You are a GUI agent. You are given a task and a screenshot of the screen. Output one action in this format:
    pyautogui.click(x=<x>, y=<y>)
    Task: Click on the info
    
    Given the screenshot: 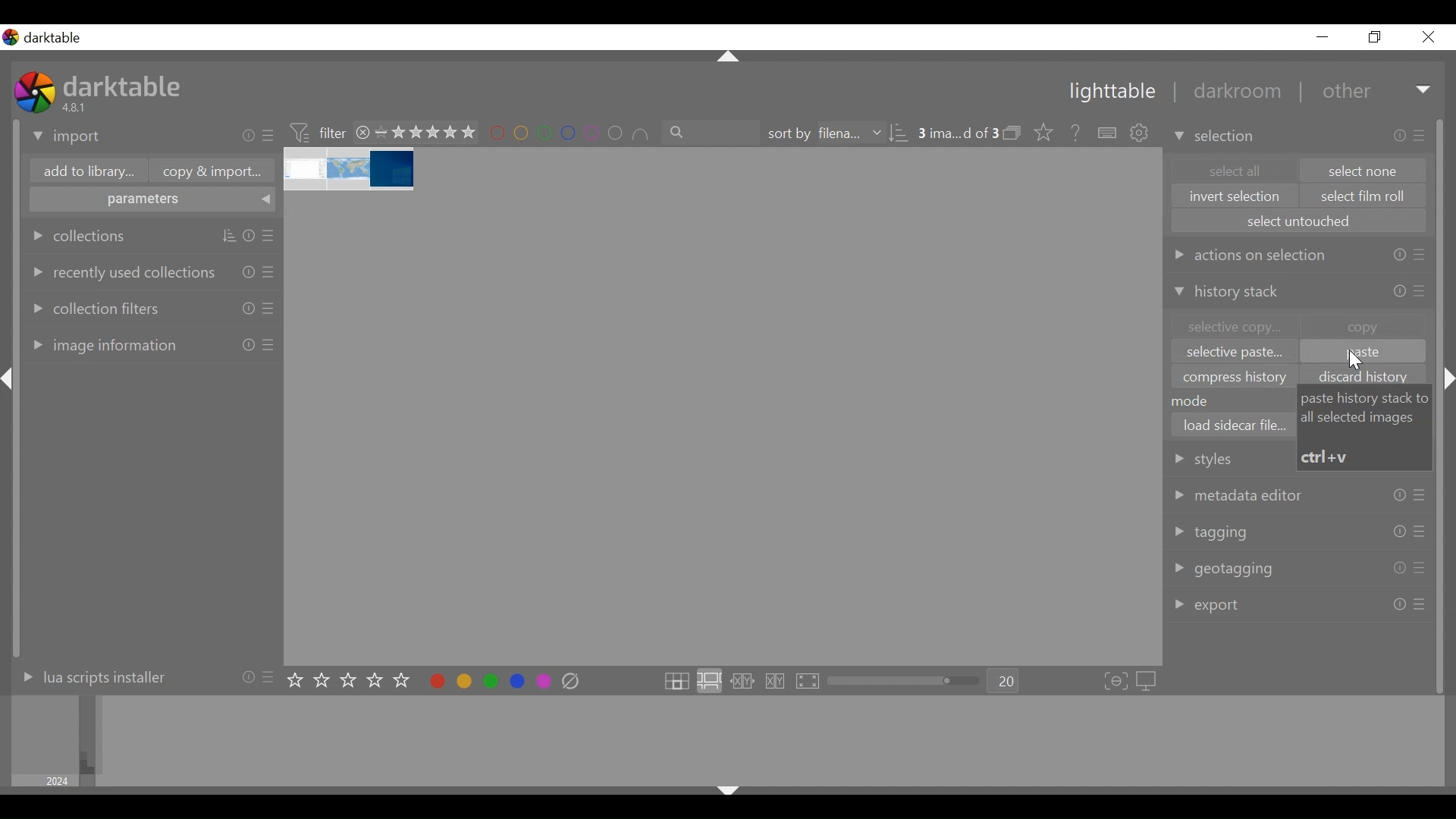 What is the action you would take?
    pyautogui.click(x=249, y=308)
    